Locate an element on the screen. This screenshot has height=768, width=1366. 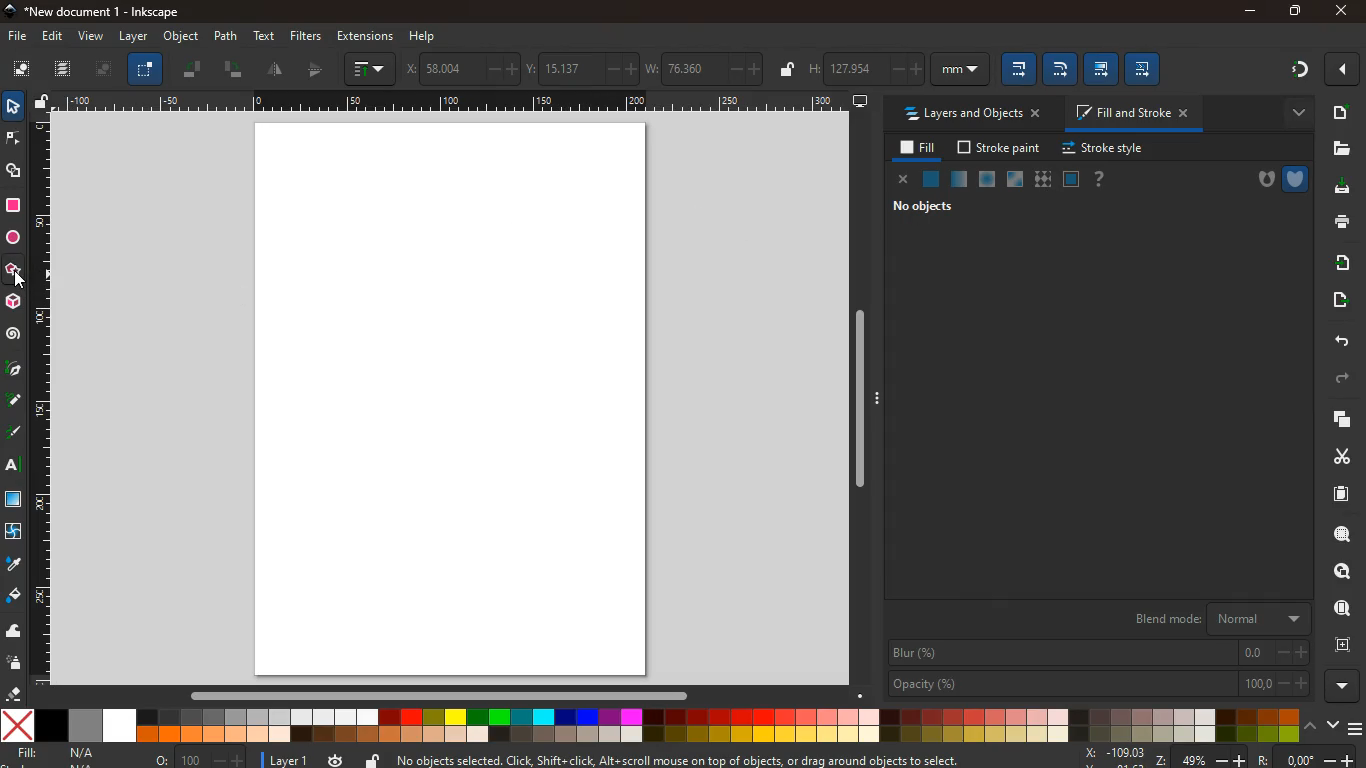
star is located at coordinates (12, 270).